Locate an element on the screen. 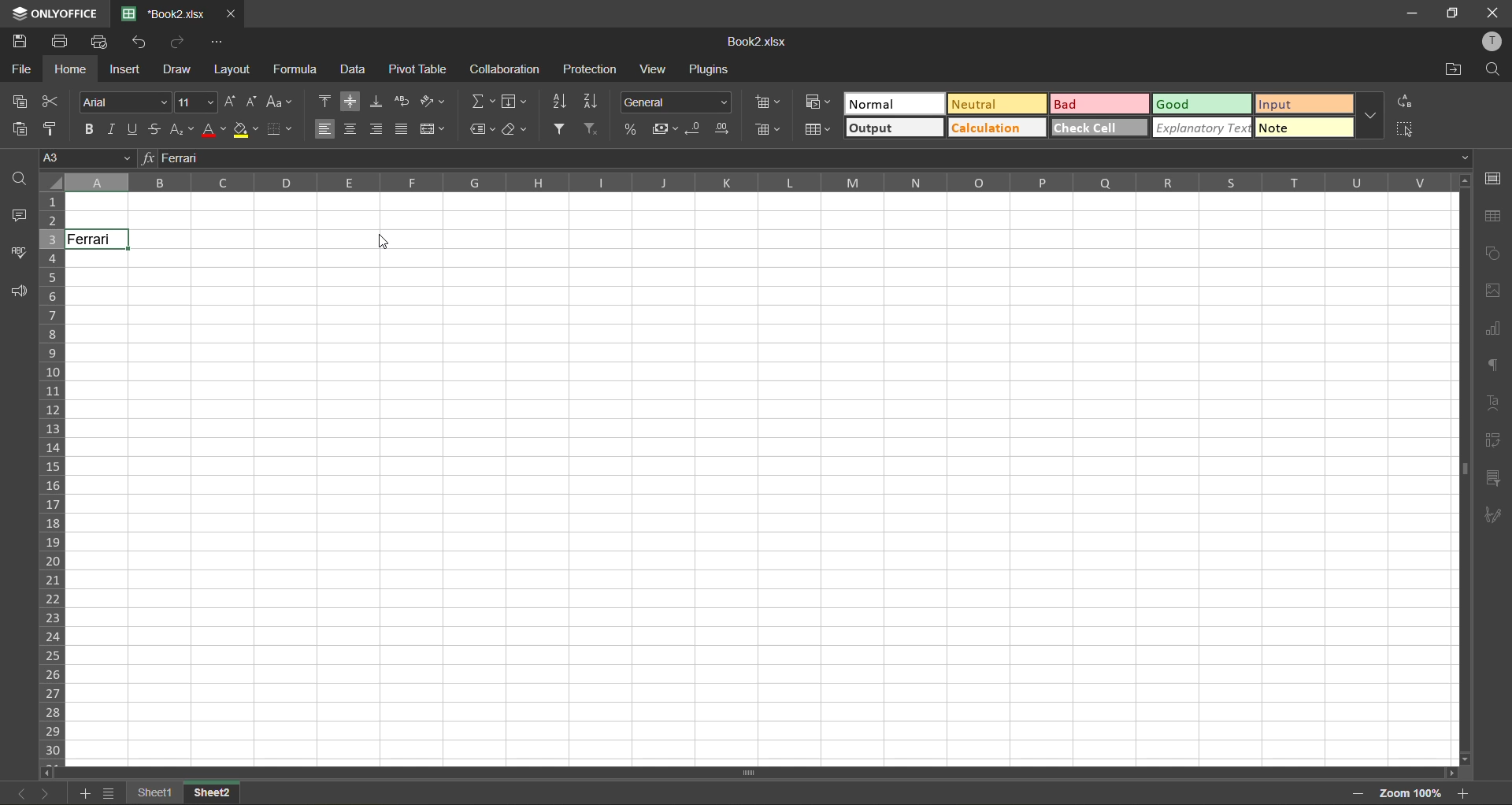 The image size is (1512, 805). increase decimal is located at coordinates (724, 129).